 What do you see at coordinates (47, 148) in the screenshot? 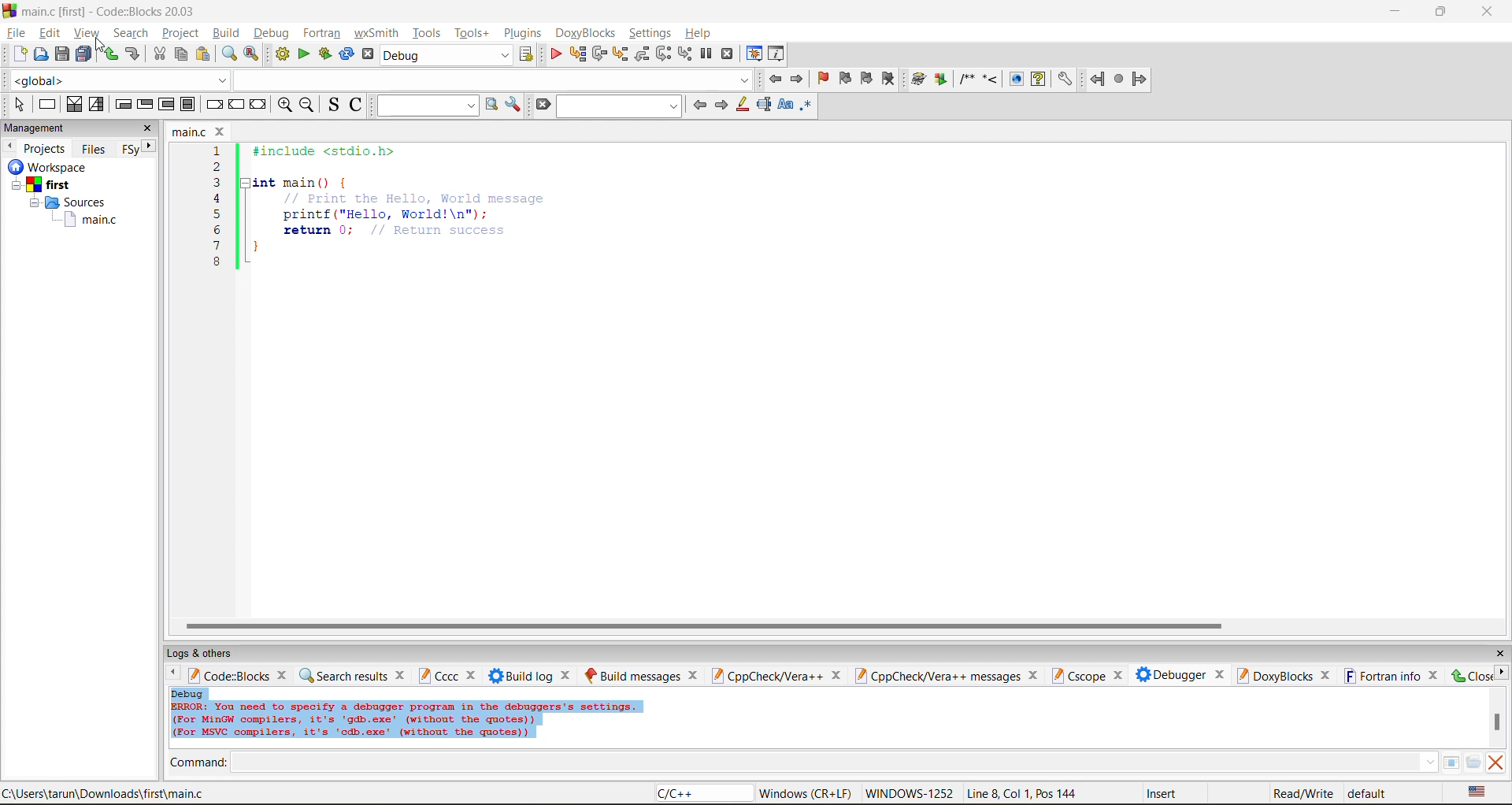
I see `projects` at bounding box center [47, 148].